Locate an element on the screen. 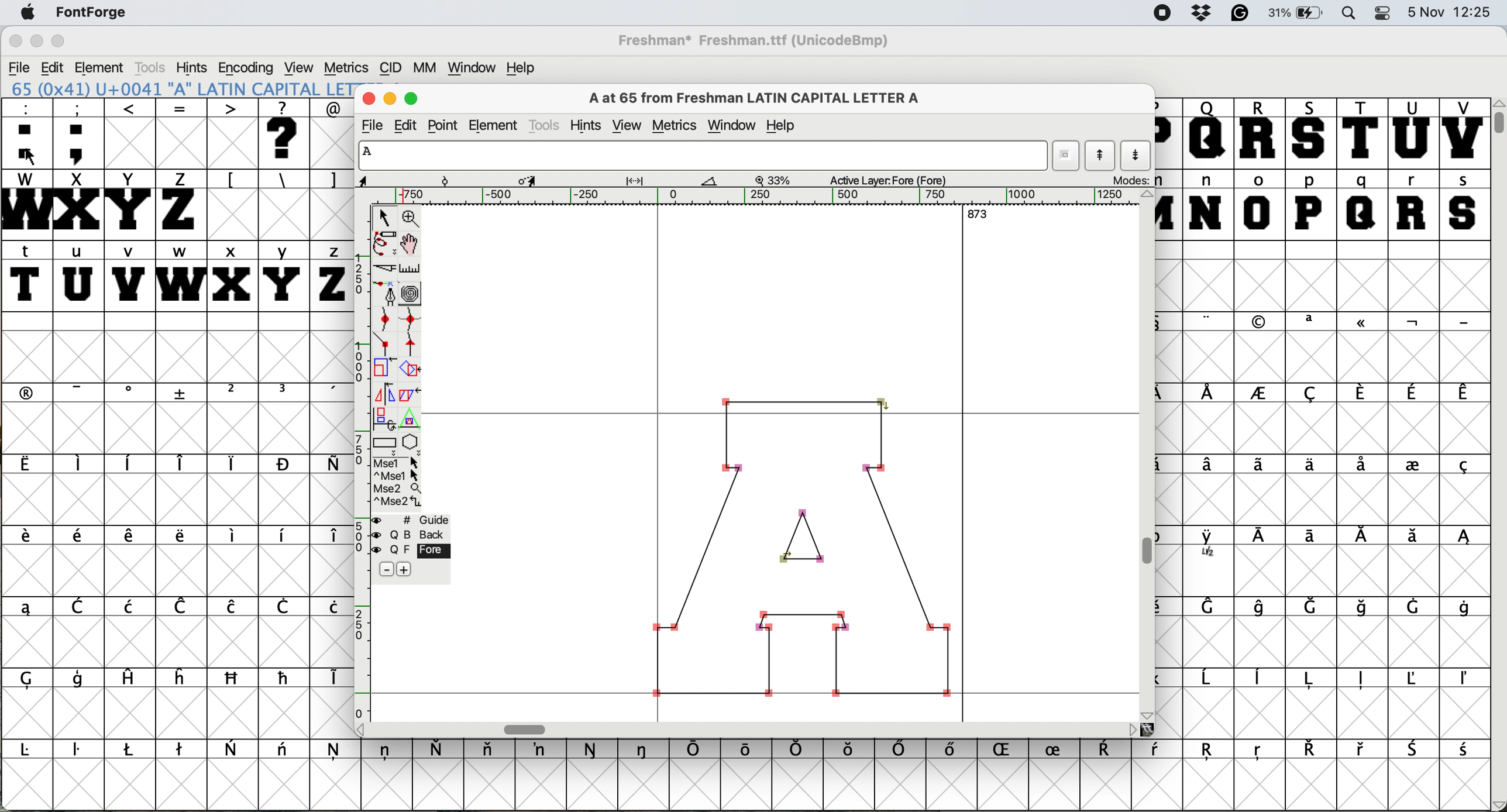 The width and height of the screenshot is (1507, 812). symbol is located at coordinates (1412, 536).